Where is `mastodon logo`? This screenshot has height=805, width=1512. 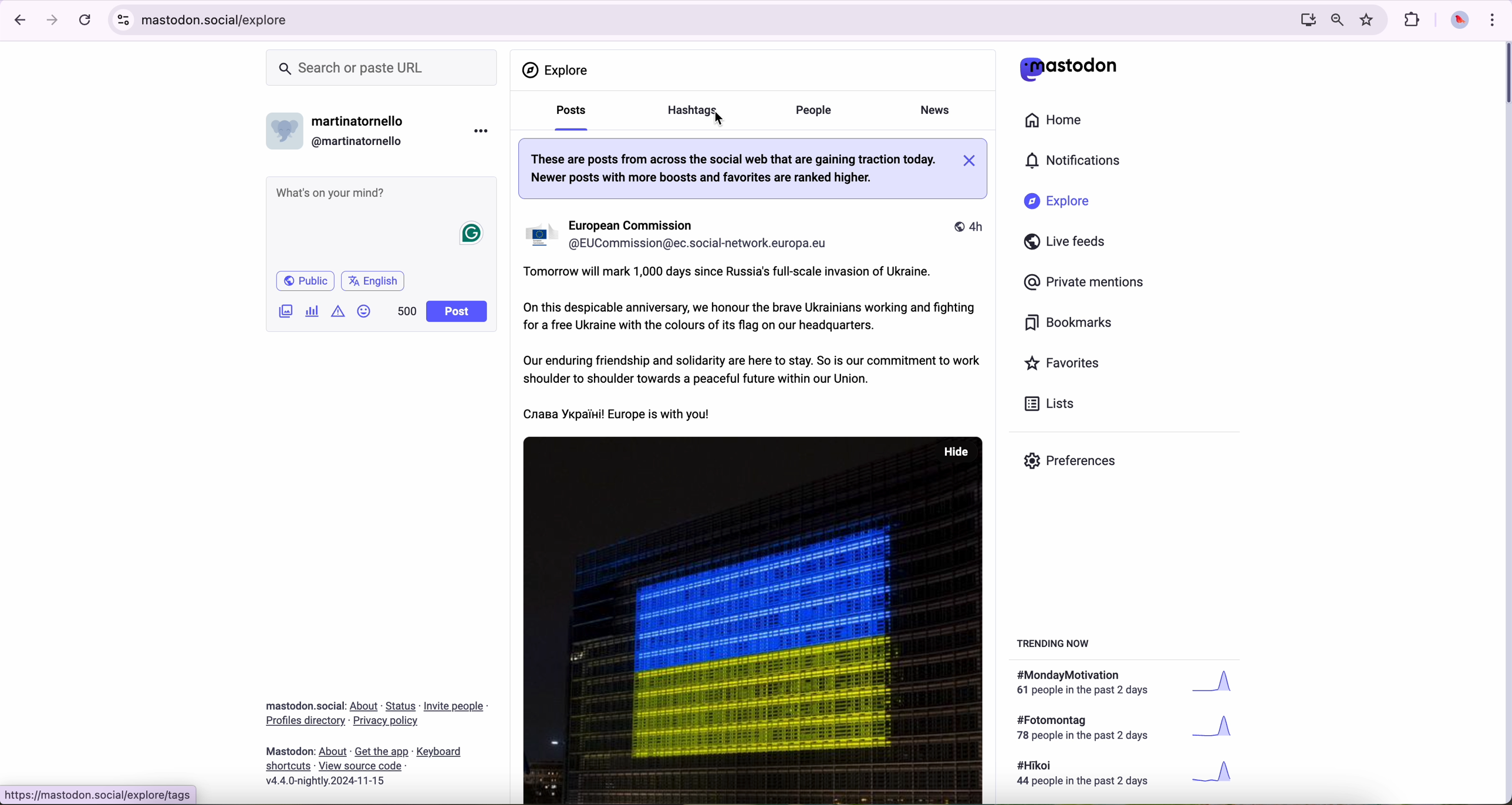 mastodon logo is located at coordinates (1068, 68).